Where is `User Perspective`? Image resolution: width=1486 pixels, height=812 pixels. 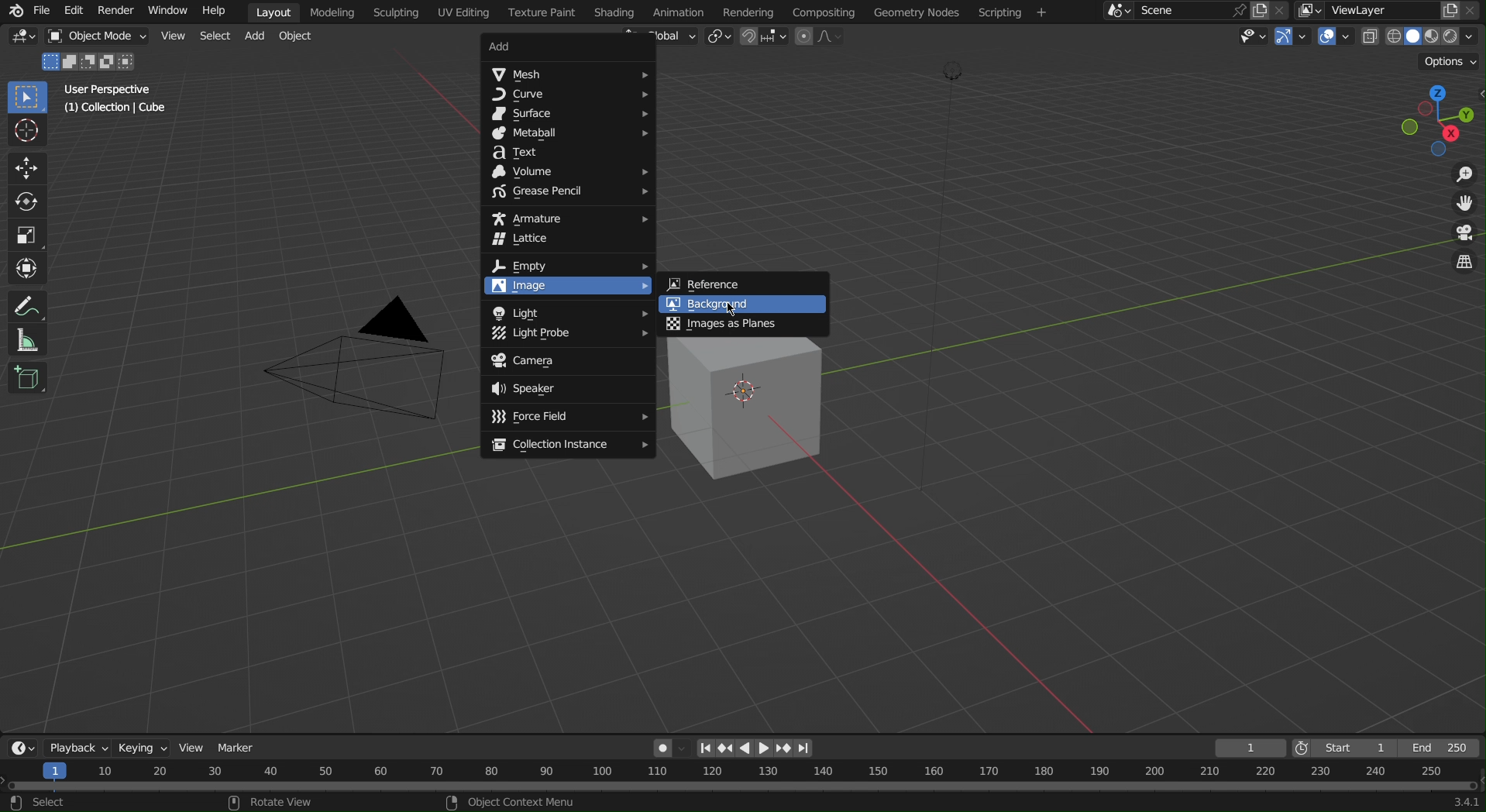 User Perspective is located at coordinates (110, 89).